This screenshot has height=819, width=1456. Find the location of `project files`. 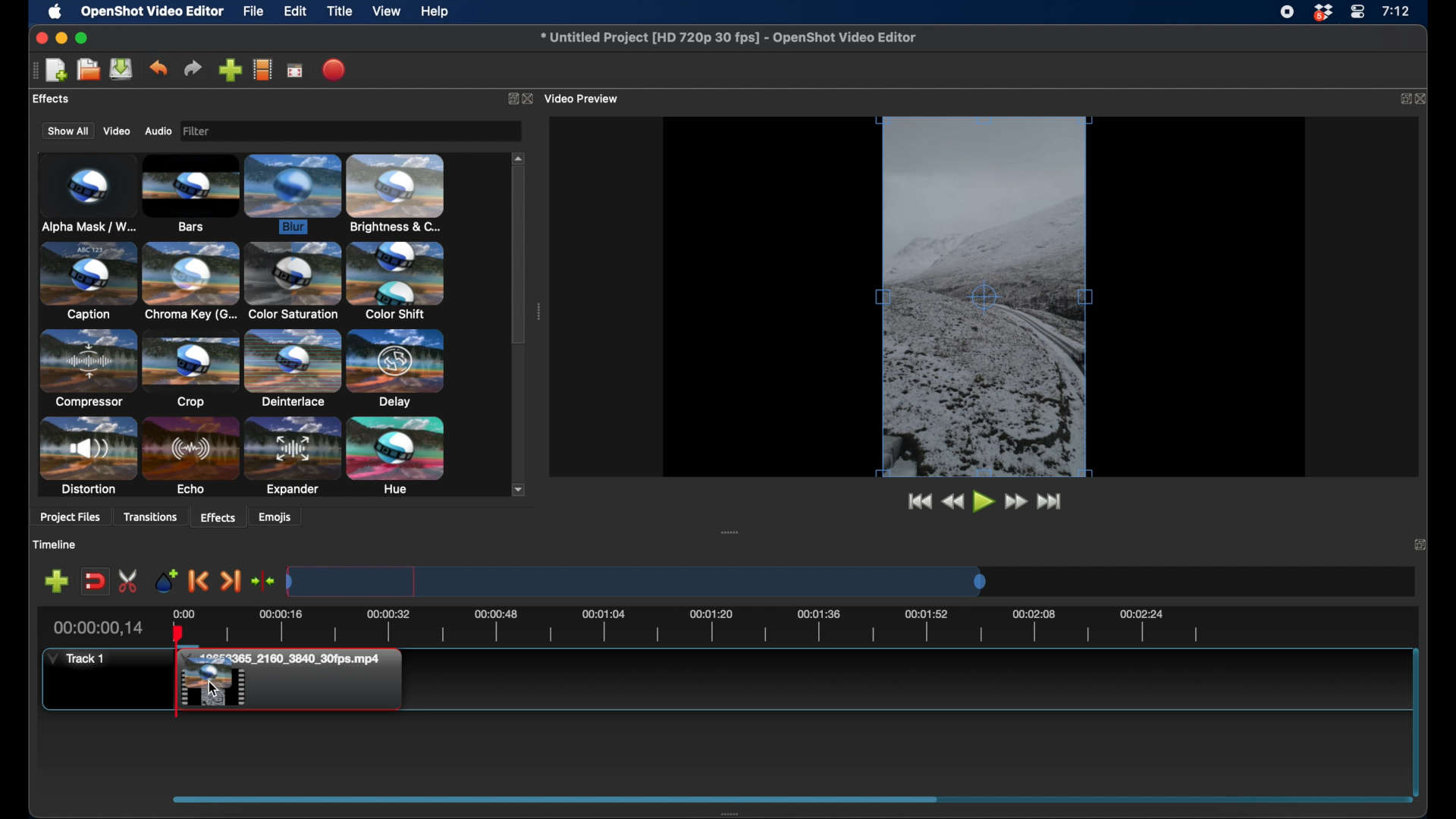

project files is located at coordinates (71, 519).